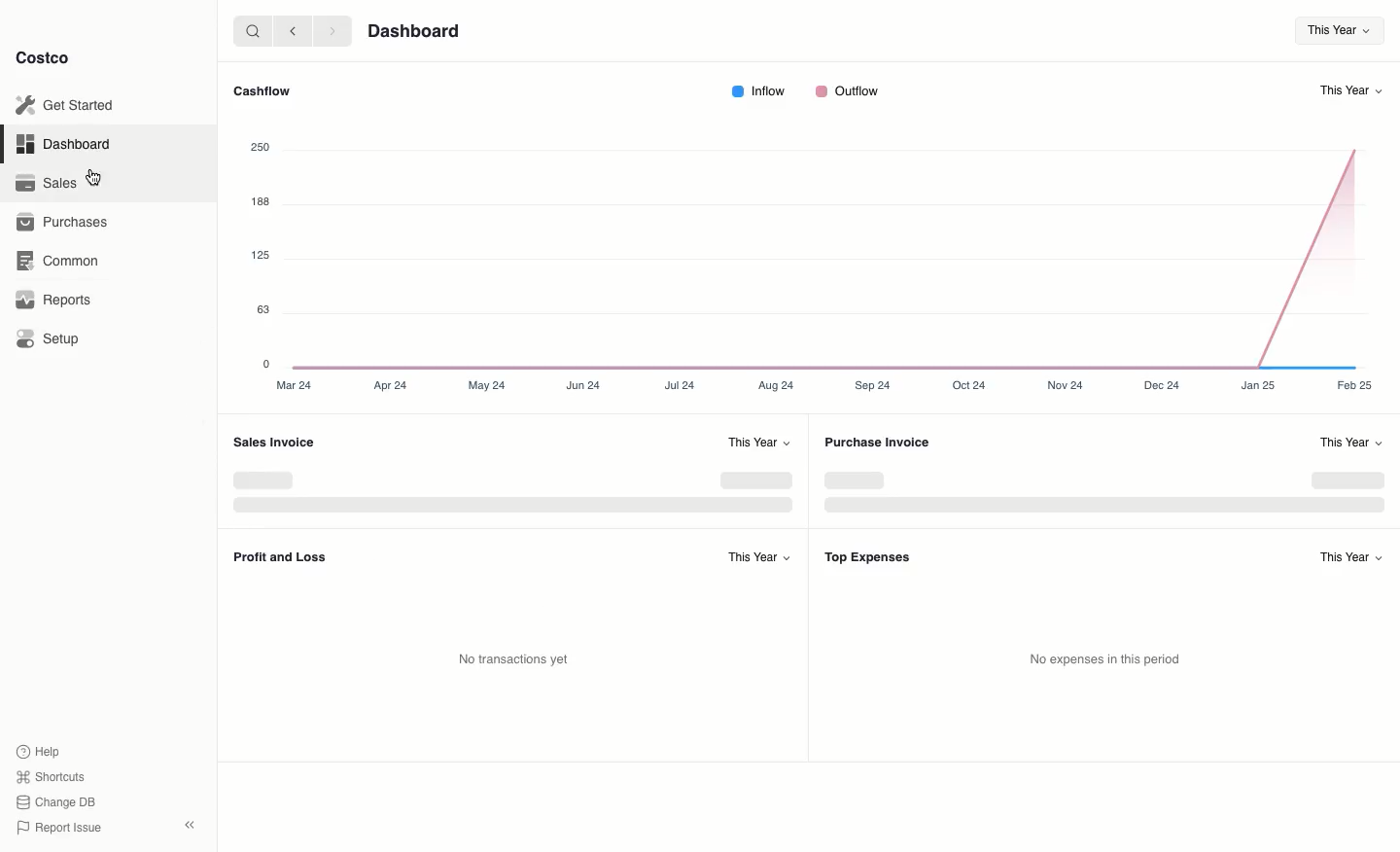 Image resolution: width=1400 pixels, height=852 pixels. Describe the element at coordinates (1102, 489) in the screenshot. I see `Graph` at that location.